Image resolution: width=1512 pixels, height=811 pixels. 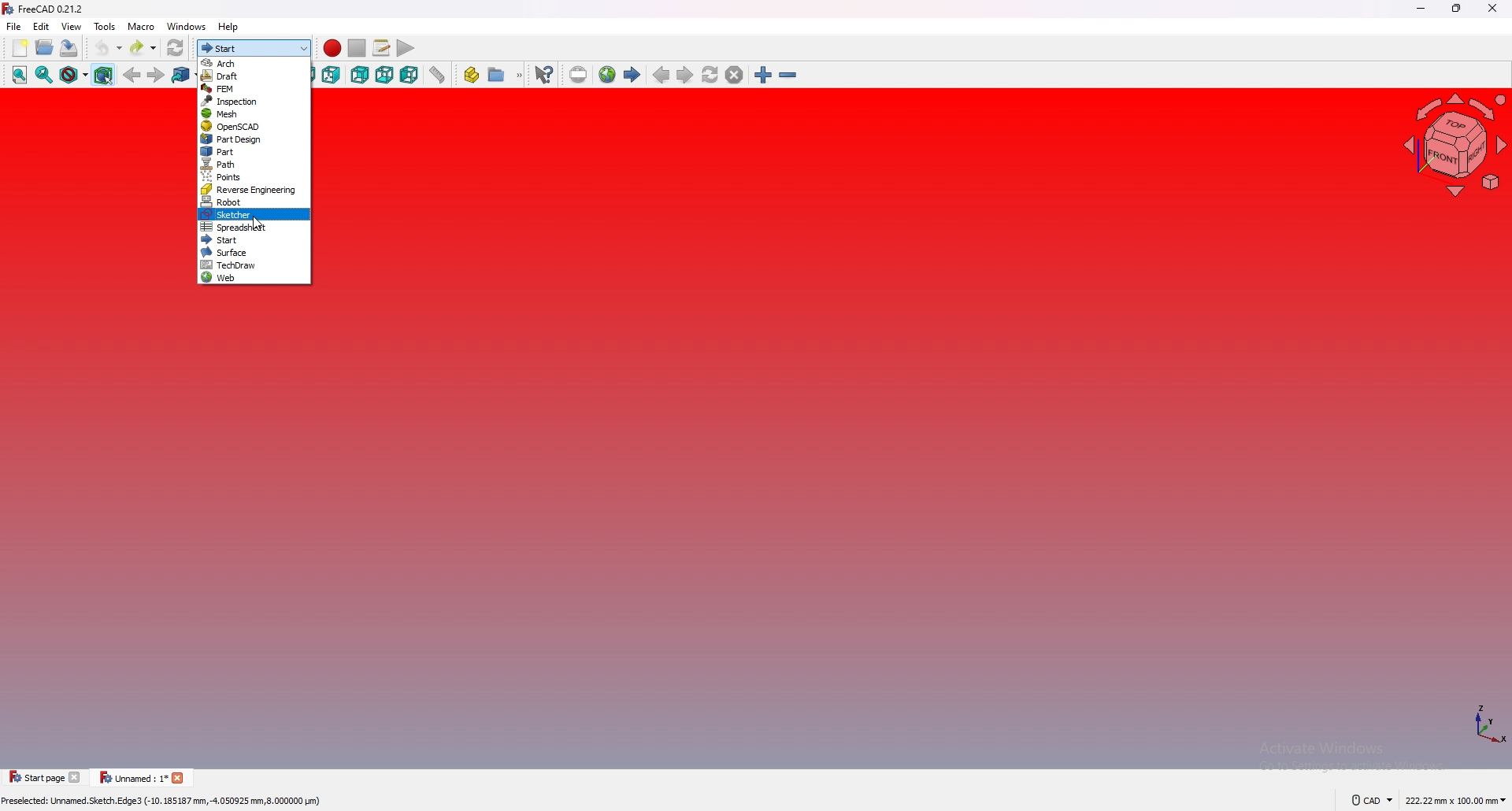 What do you see at coordinates (187, 26) in the screenshot?
I see `windows` at bounding box center [187, 26].